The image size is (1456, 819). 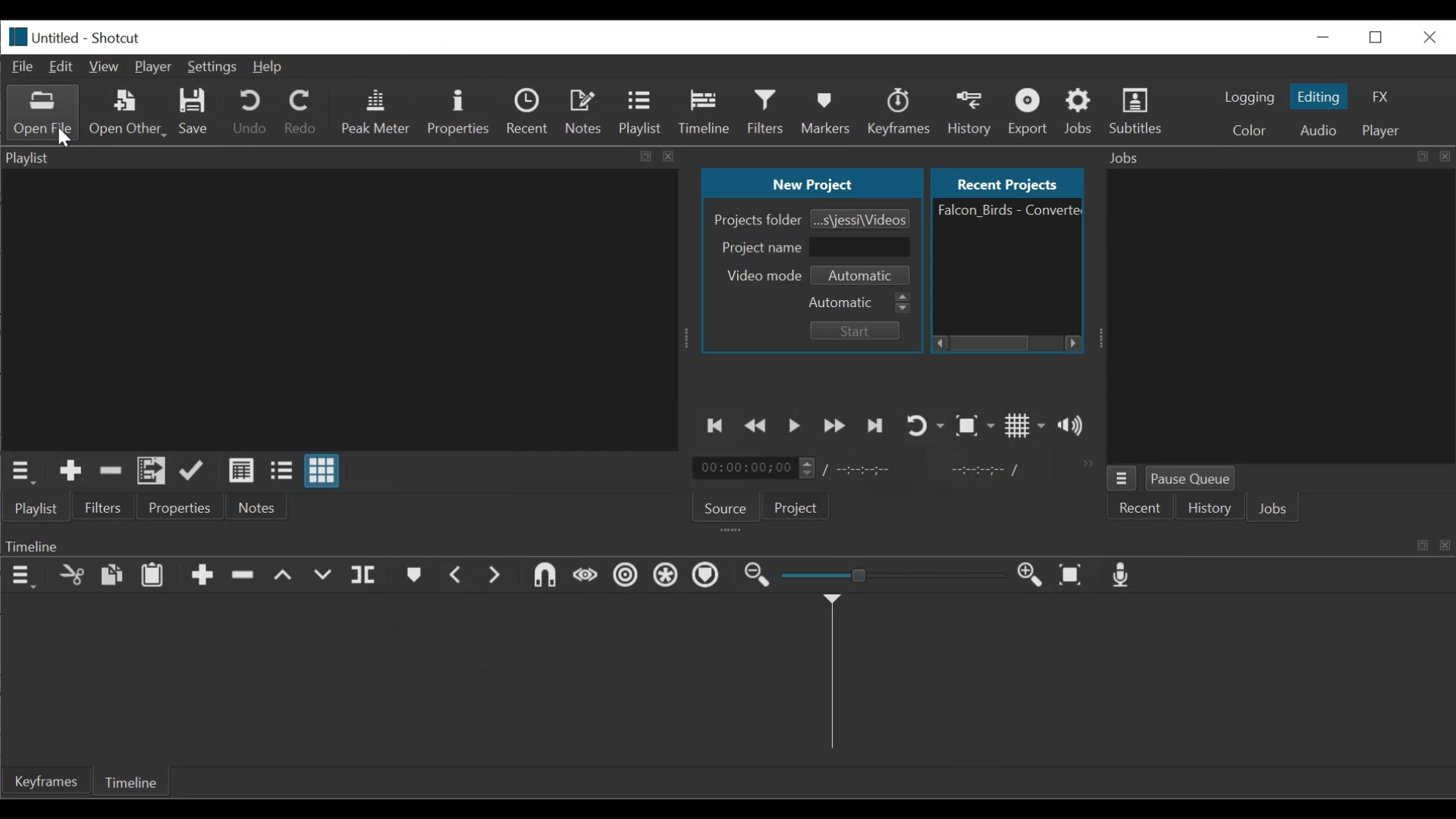 I want to click on Peak Meter, so click(x=375, y=113).